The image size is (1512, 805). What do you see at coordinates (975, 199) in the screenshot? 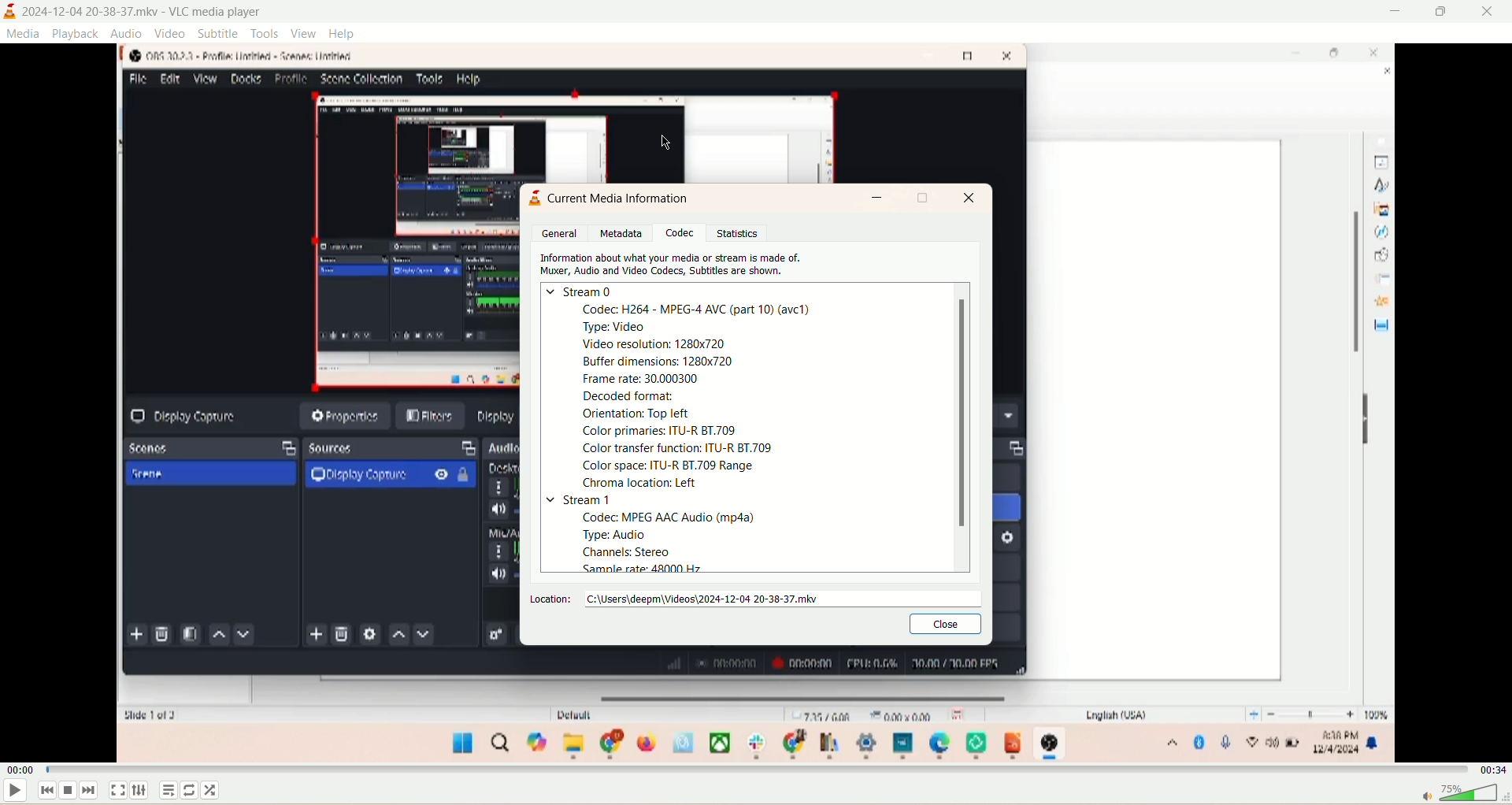
I see `close` at bounding box center [975, 199].